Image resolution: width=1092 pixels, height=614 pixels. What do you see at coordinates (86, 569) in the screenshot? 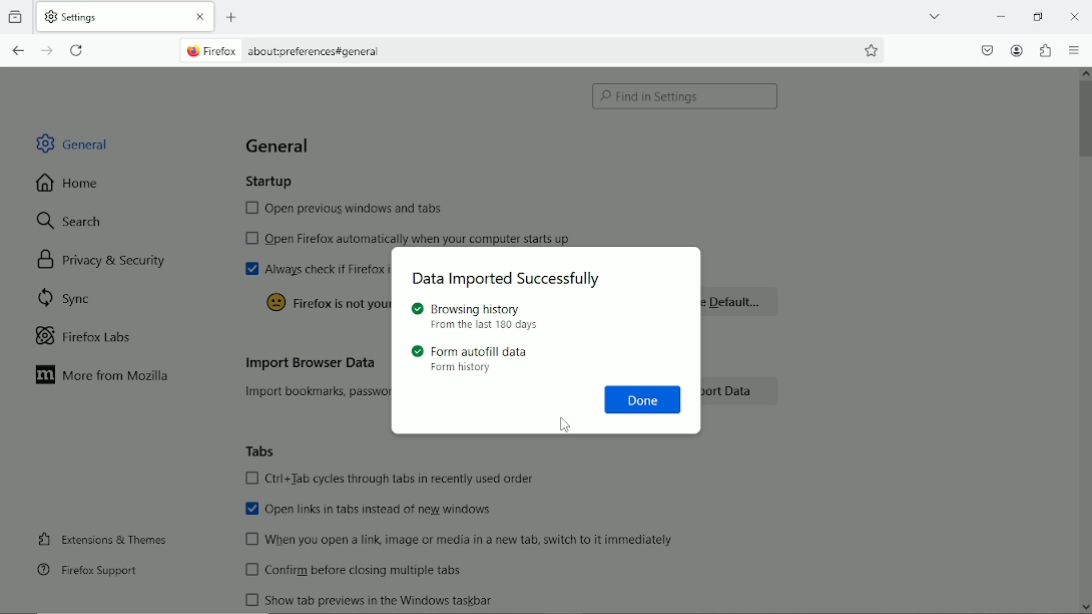
I see `Firefox support` at bounding box center [86, 569].